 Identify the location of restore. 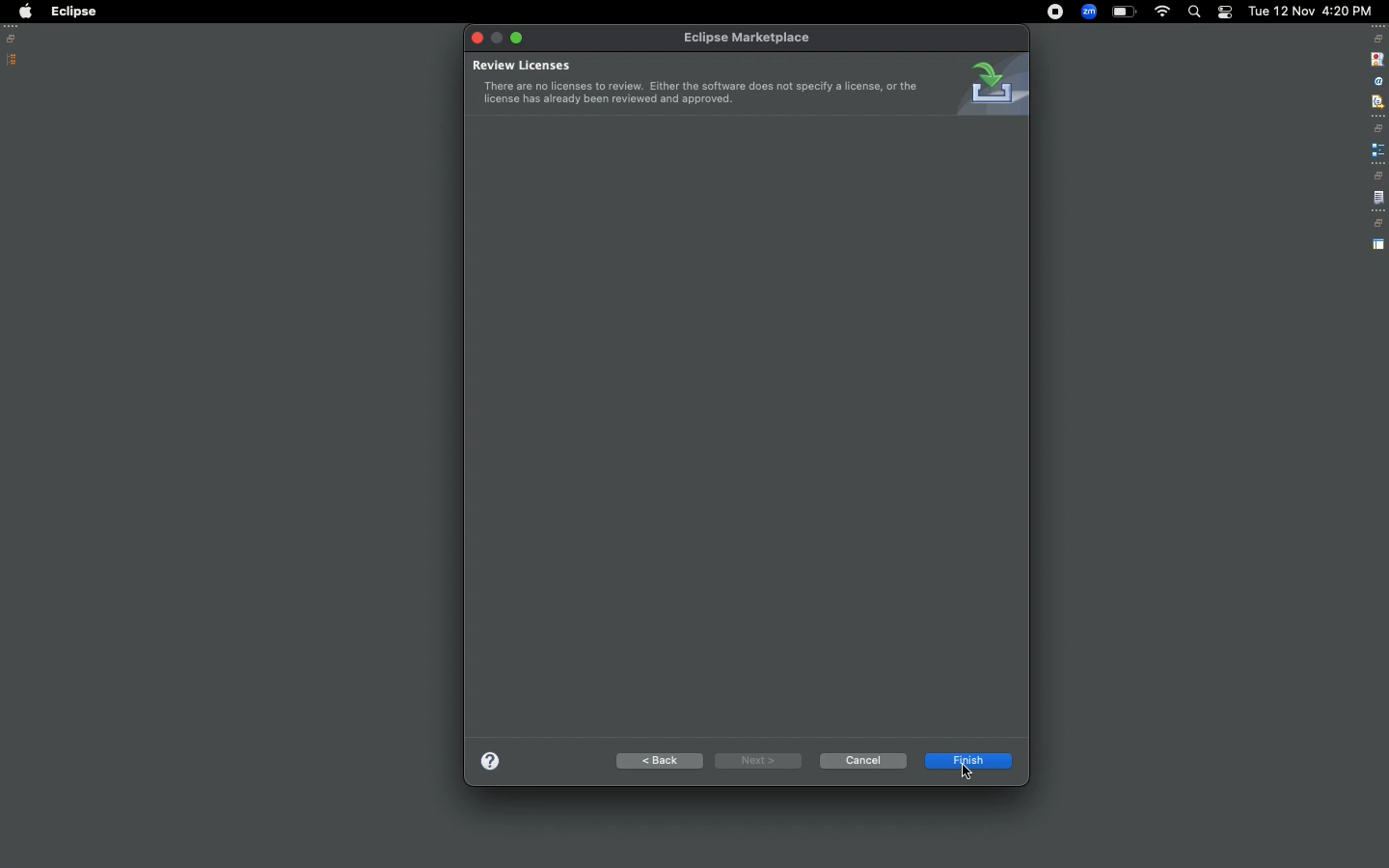
(1378, 39).